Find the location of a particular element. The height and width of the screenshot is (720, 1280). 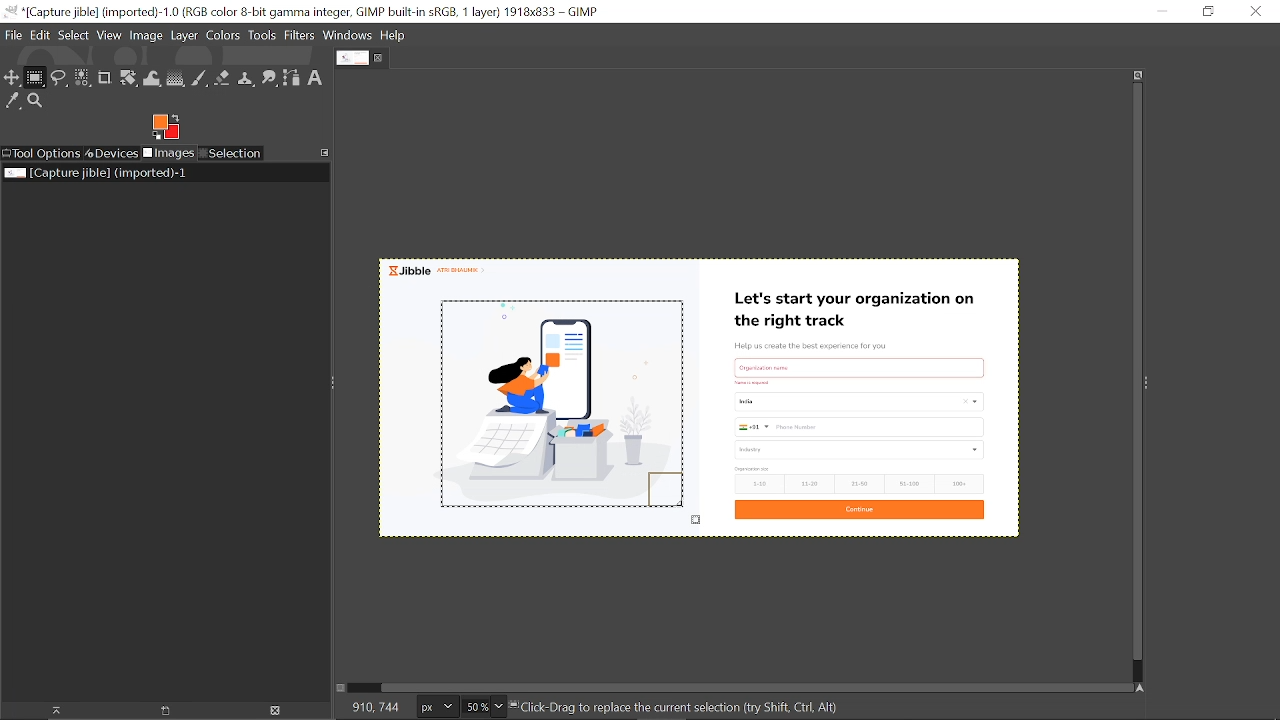

Rotate tool is located at coordinates (128, 79).